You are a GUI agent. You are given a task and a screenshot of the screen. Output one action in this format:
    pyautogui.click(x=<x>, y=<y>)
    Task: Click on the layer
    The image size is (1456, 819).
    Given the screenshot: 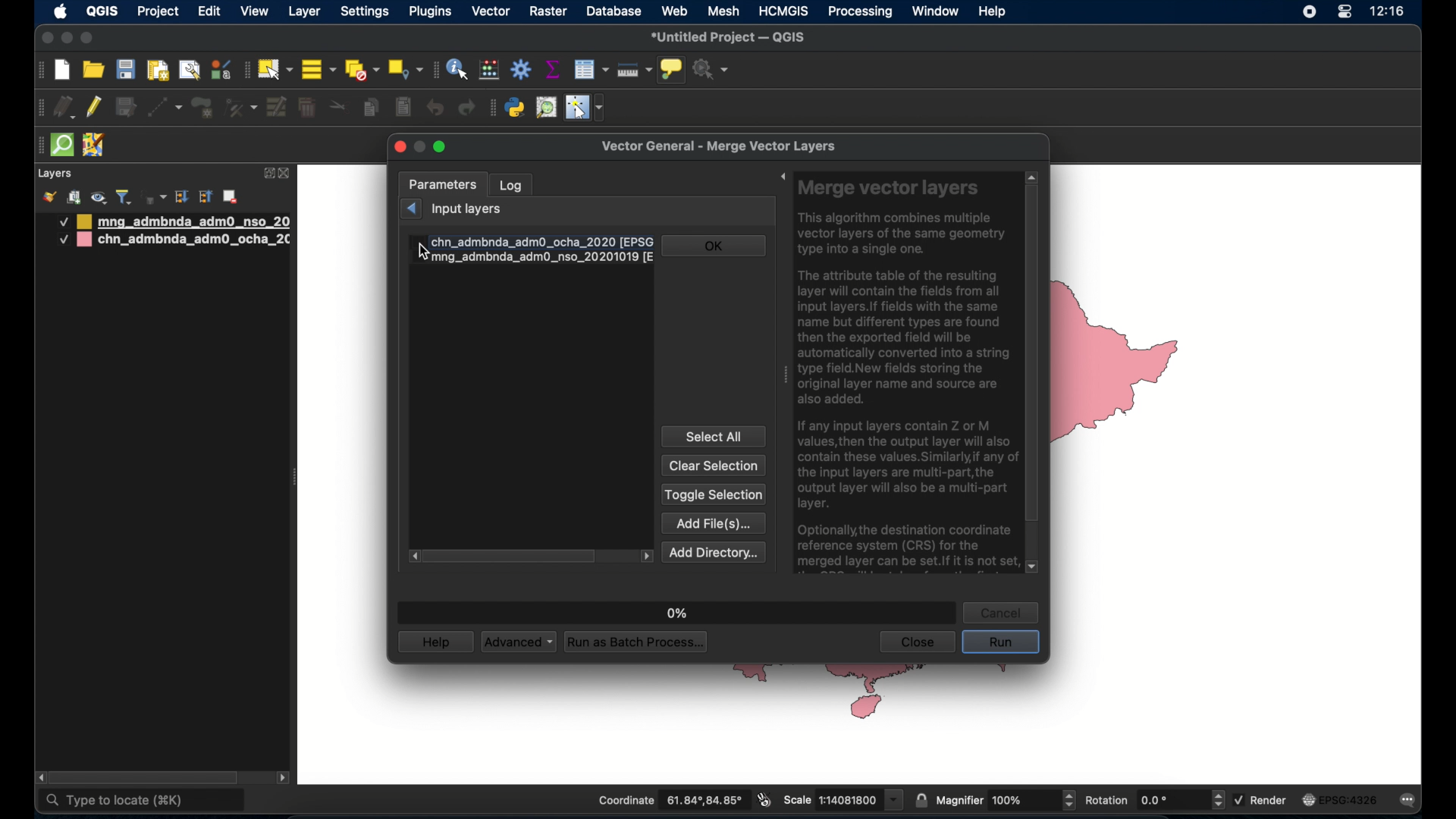 What is the action you would take?
    pyautogui.click(x=306, y=11)
    